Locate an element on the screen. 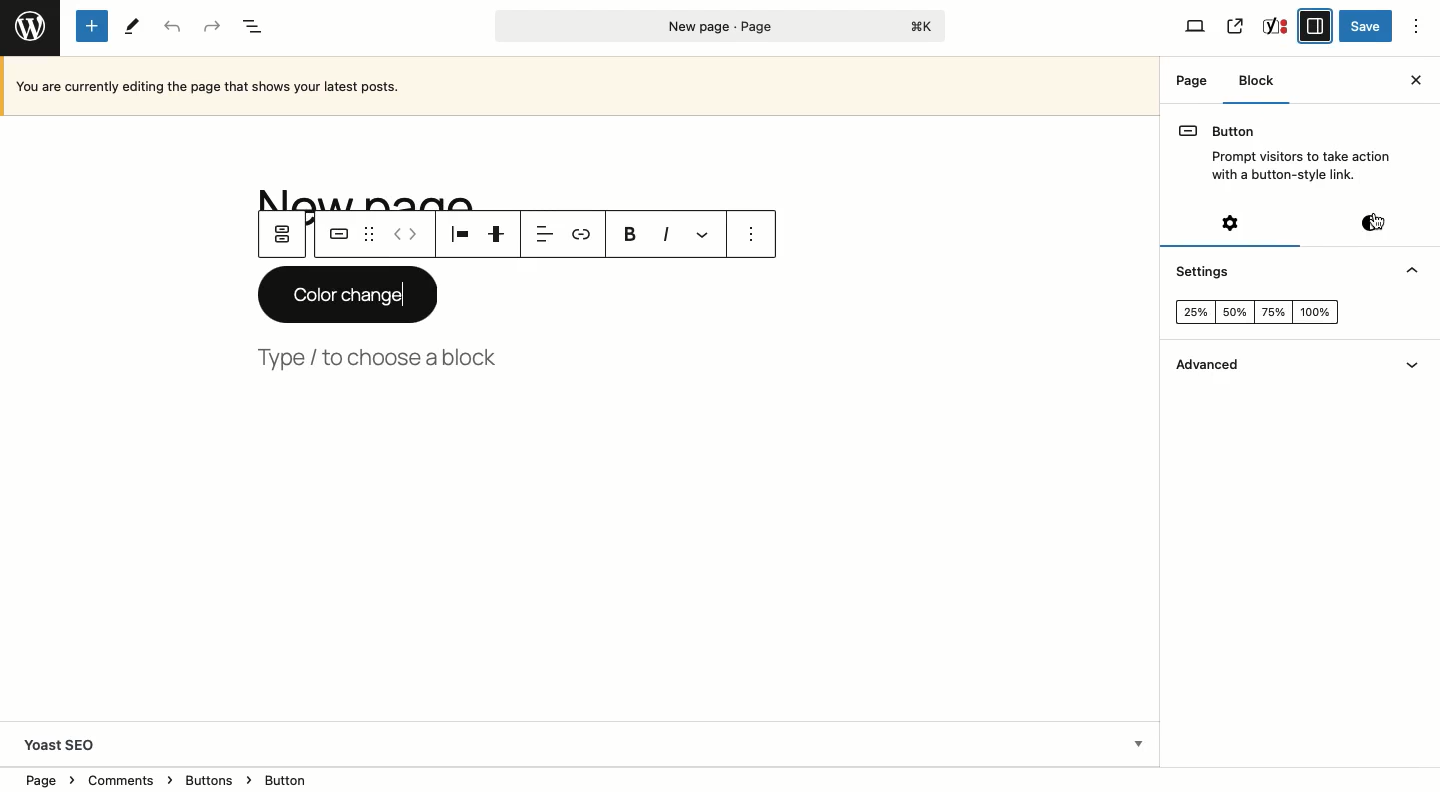  Currently editing the page that show your latest posts is located at coordinates (584, 86).